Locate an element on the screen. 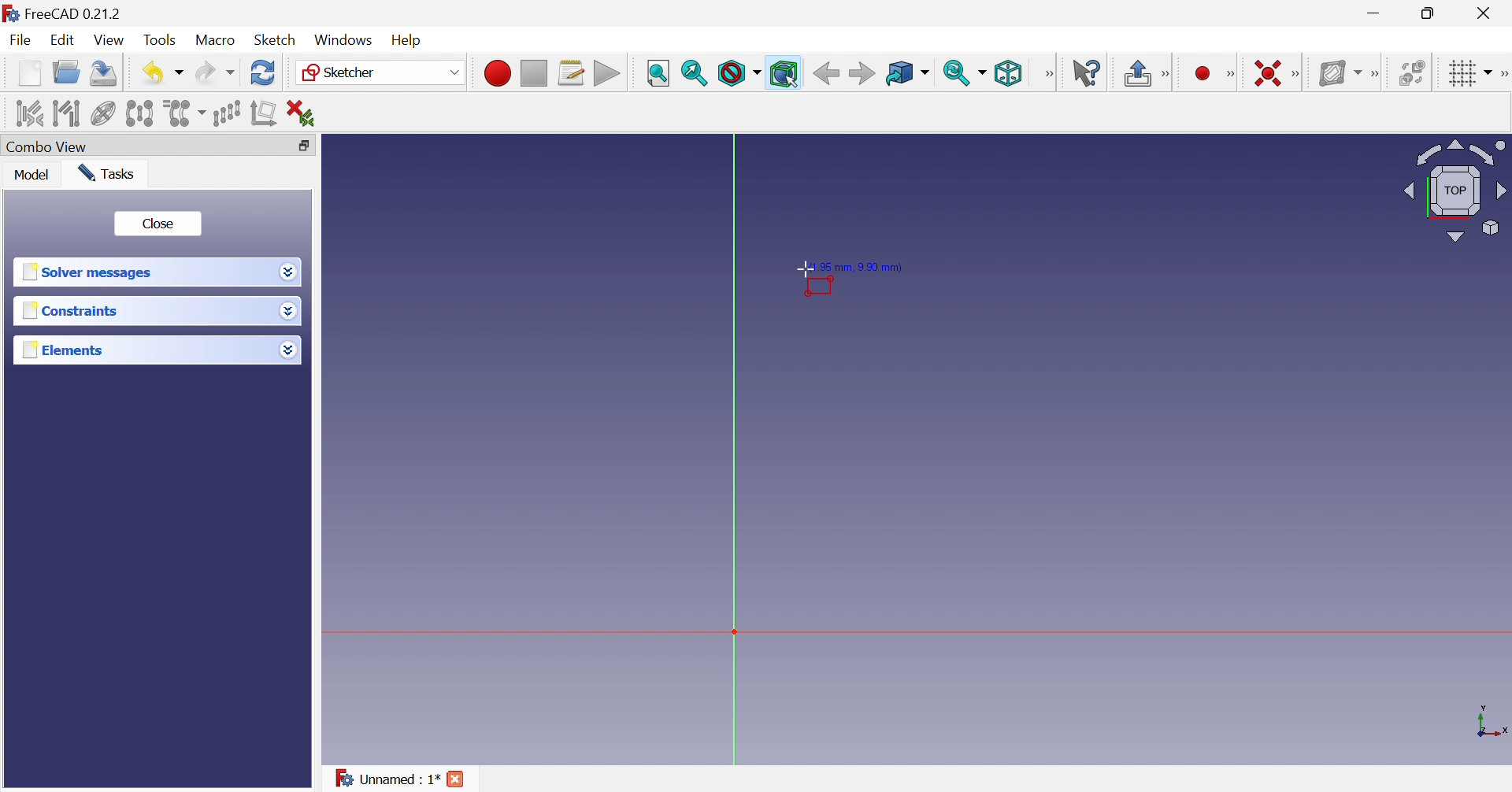 The width and height of the screenshot is (1512, 792). Macros... is located at coordinates (572, 74).